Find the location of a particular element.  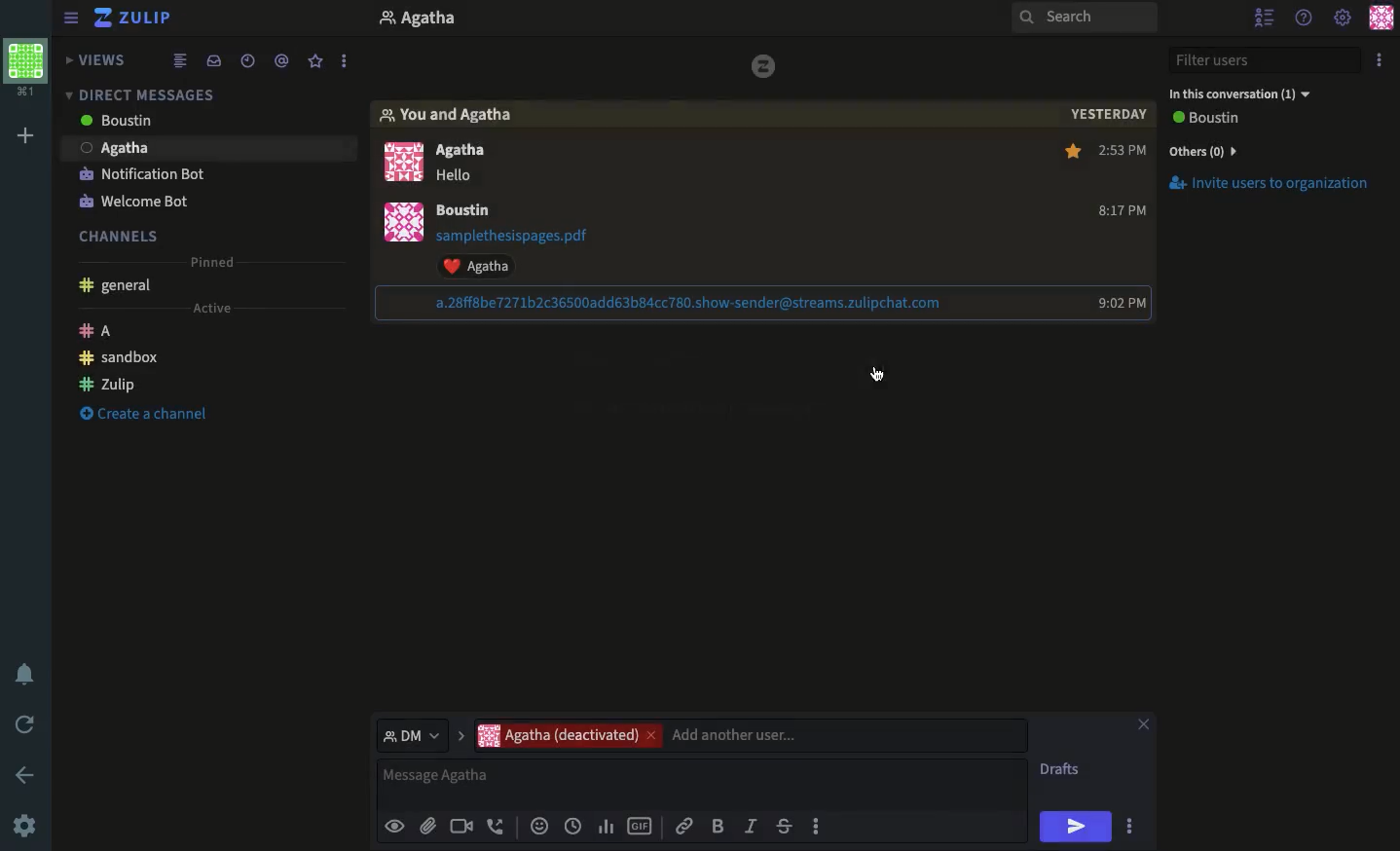

Favorite is located at coordinates (316, 62).